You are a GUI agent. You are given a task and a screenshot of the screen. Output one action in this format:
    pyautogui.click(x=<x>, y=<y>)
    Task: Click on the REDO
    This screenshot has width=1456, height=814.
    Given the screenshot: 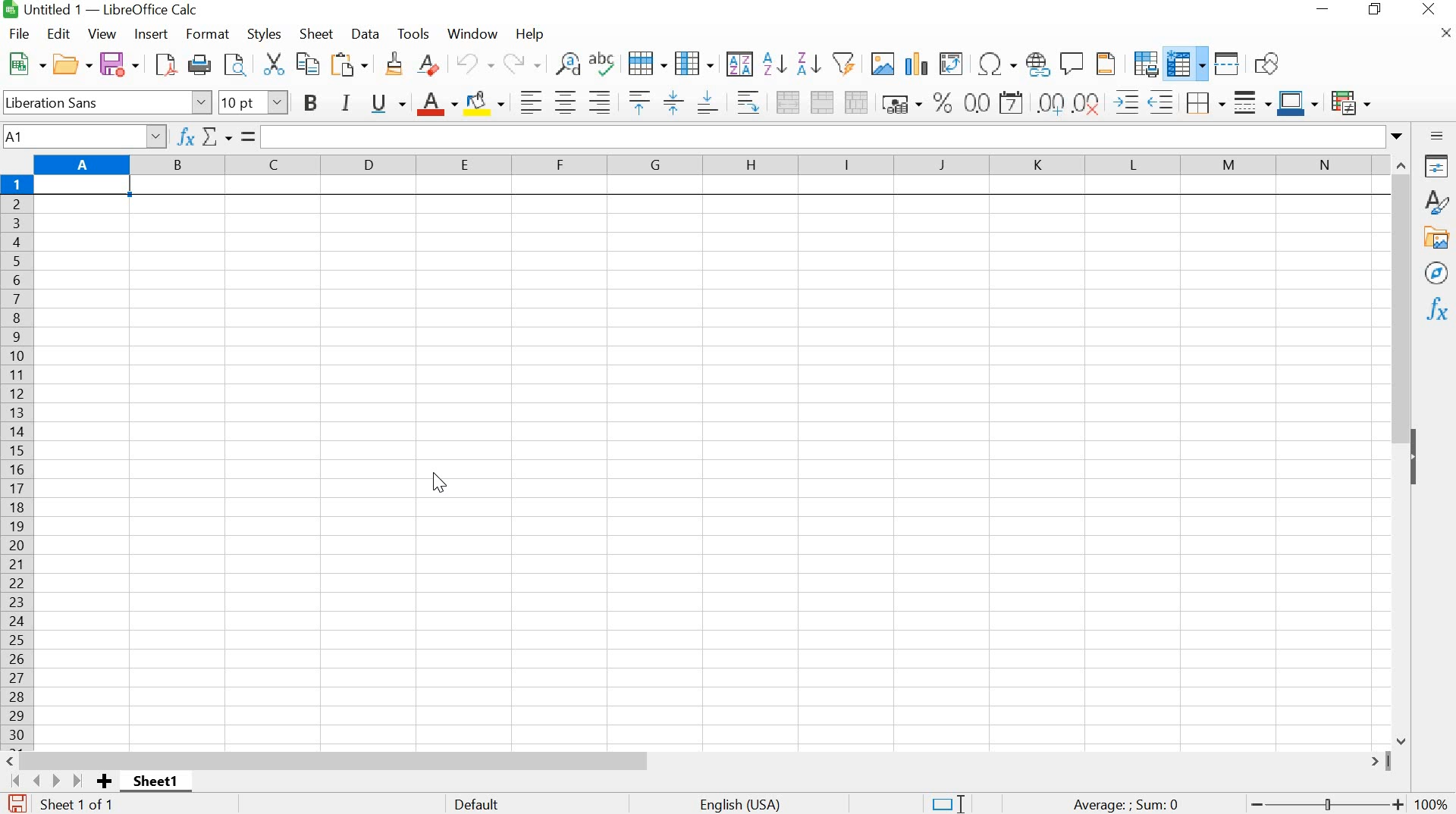 What is the action you would take?
    pyautogui.click(x=522, y=64)
    